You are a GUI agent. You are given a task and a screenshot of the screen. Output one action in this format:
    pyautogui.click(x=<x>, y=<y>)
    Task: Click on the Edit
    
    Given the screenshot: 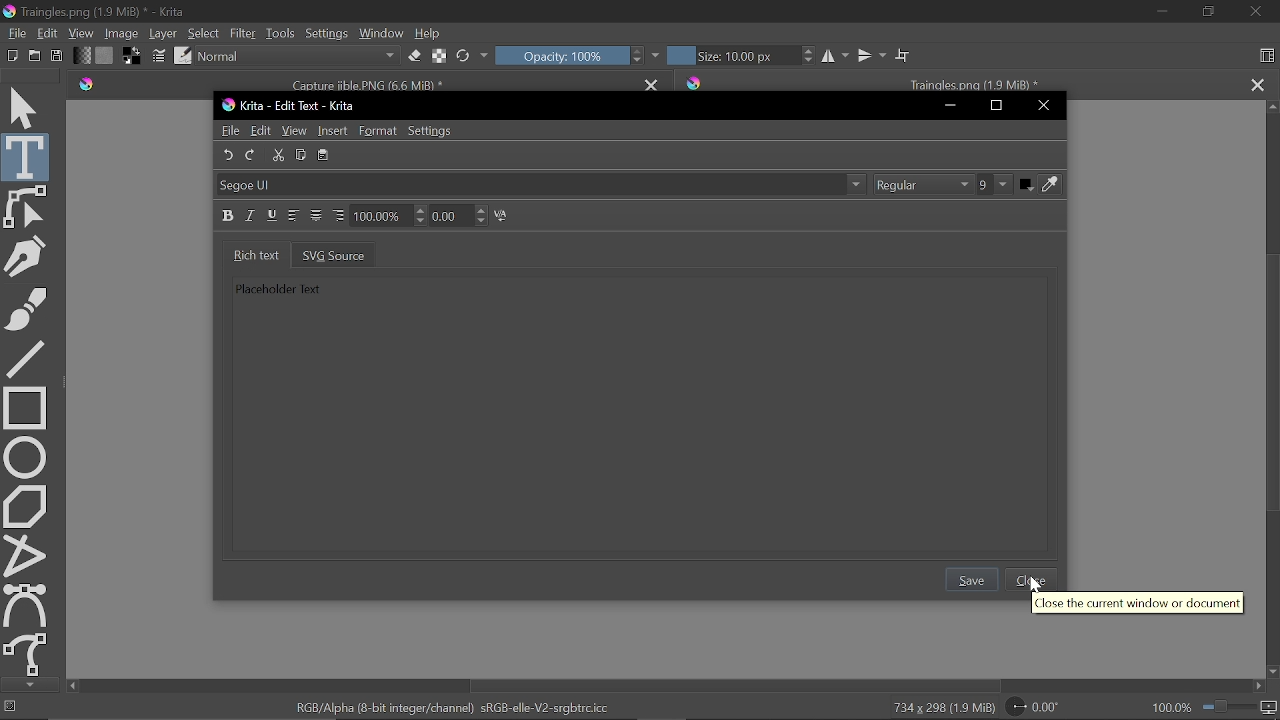 What is the action you would take?
    pyautogui.click(x=48, y=32)
    